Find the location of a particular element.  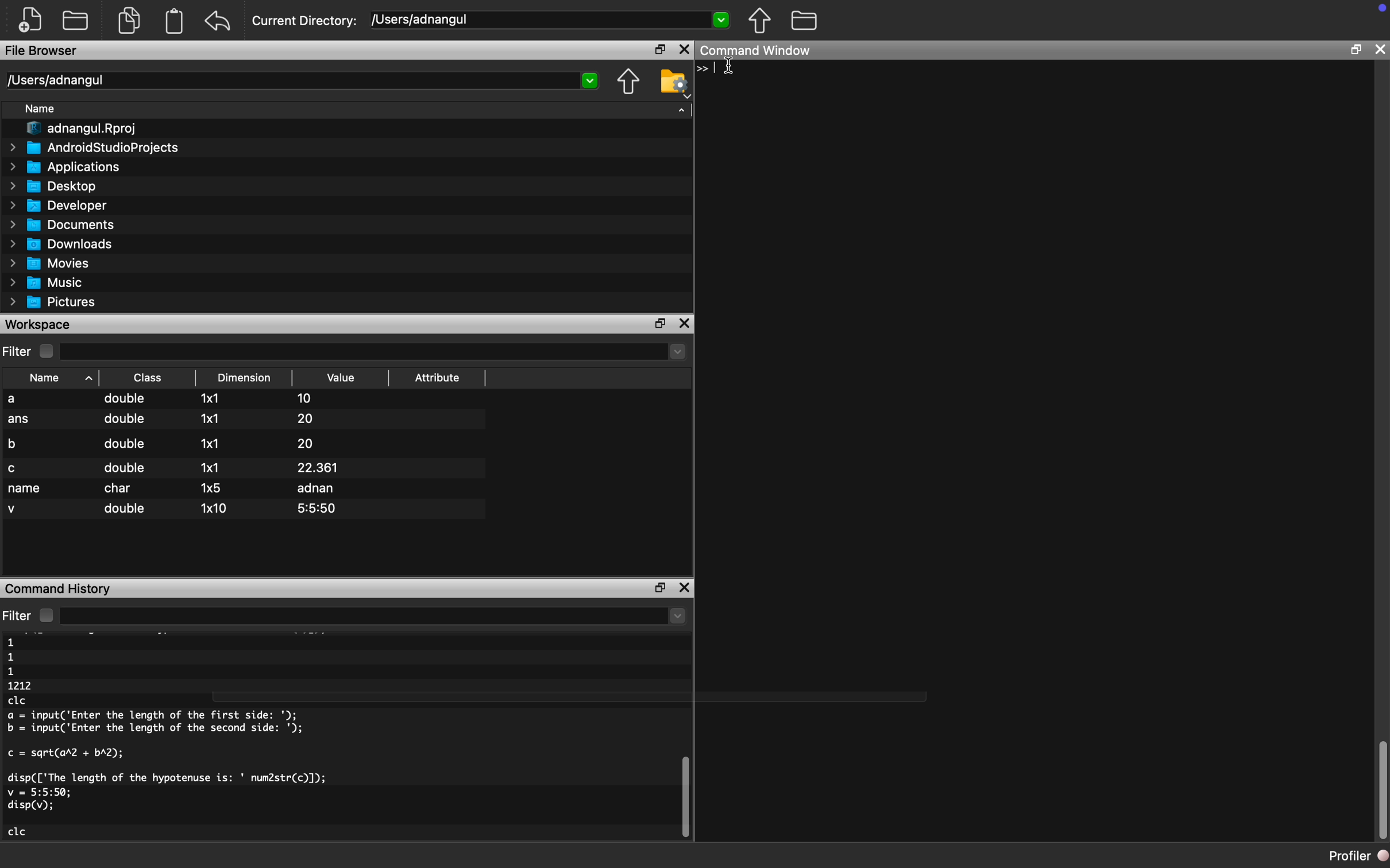

Workspace is located at coordinates (40, 324).